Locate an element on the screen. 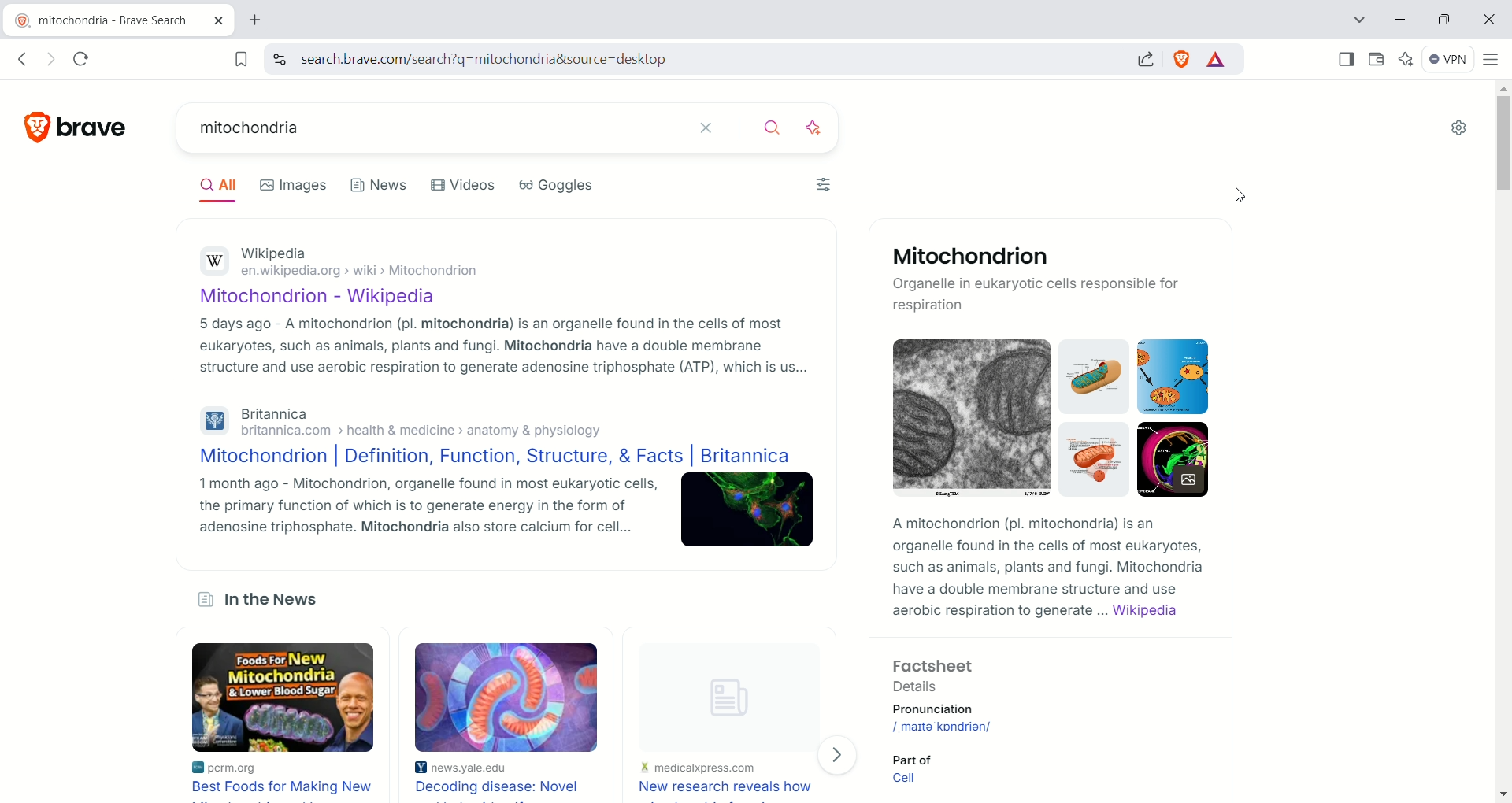  5 days ago - A mitochondrion (pl. mitochondria) is an organelle found in the cells of most
eukaryotes, such as animals, plants and fungi. Mitochondria have a double membrane
structure and use aerobic respiration to generate adenosine triphosphate (ATP), which is us... is located at coordinates (506, 350).